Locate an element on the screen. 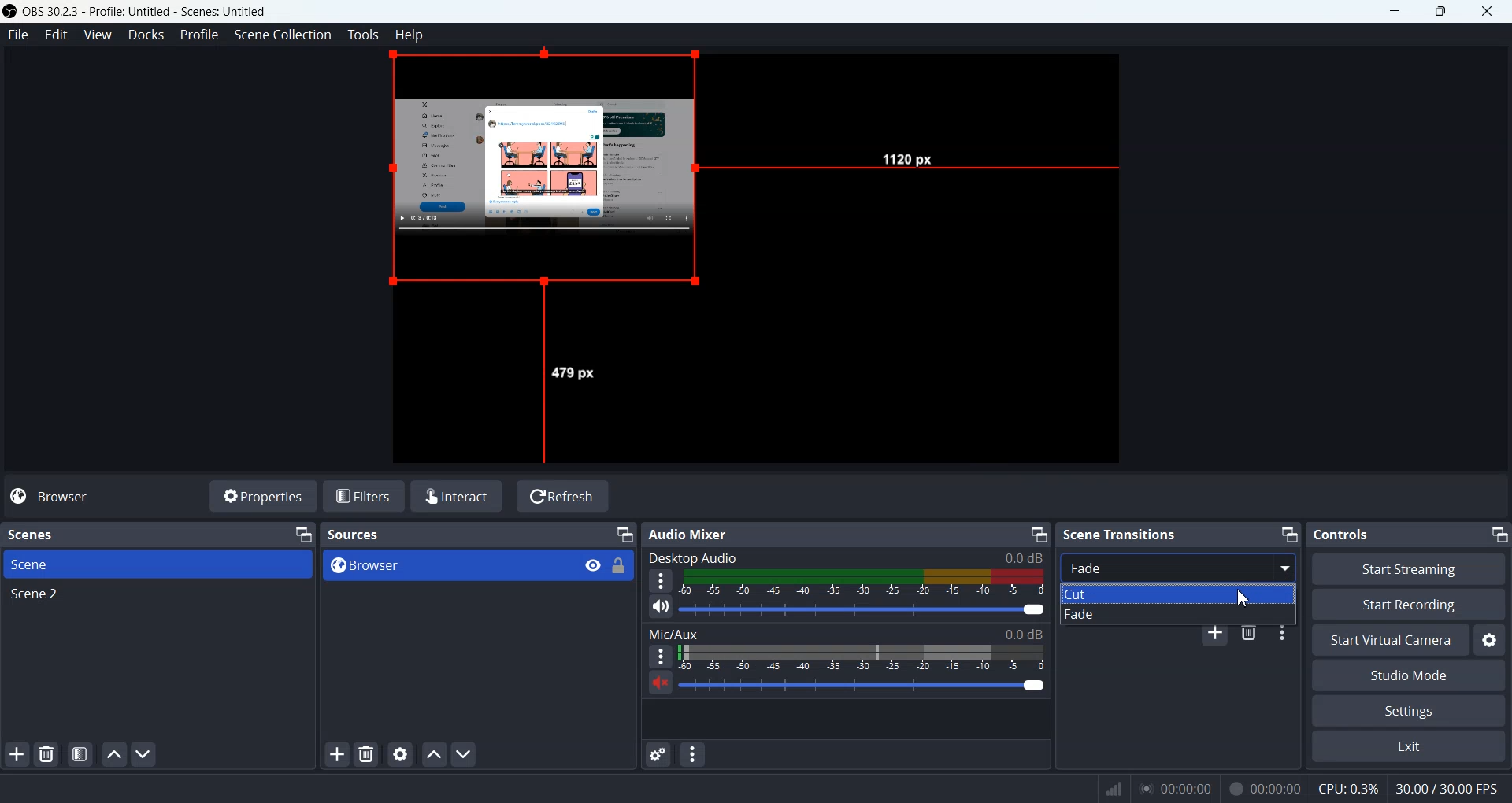 The image size is (1512, 803). More is located at coordinates (660, 655).